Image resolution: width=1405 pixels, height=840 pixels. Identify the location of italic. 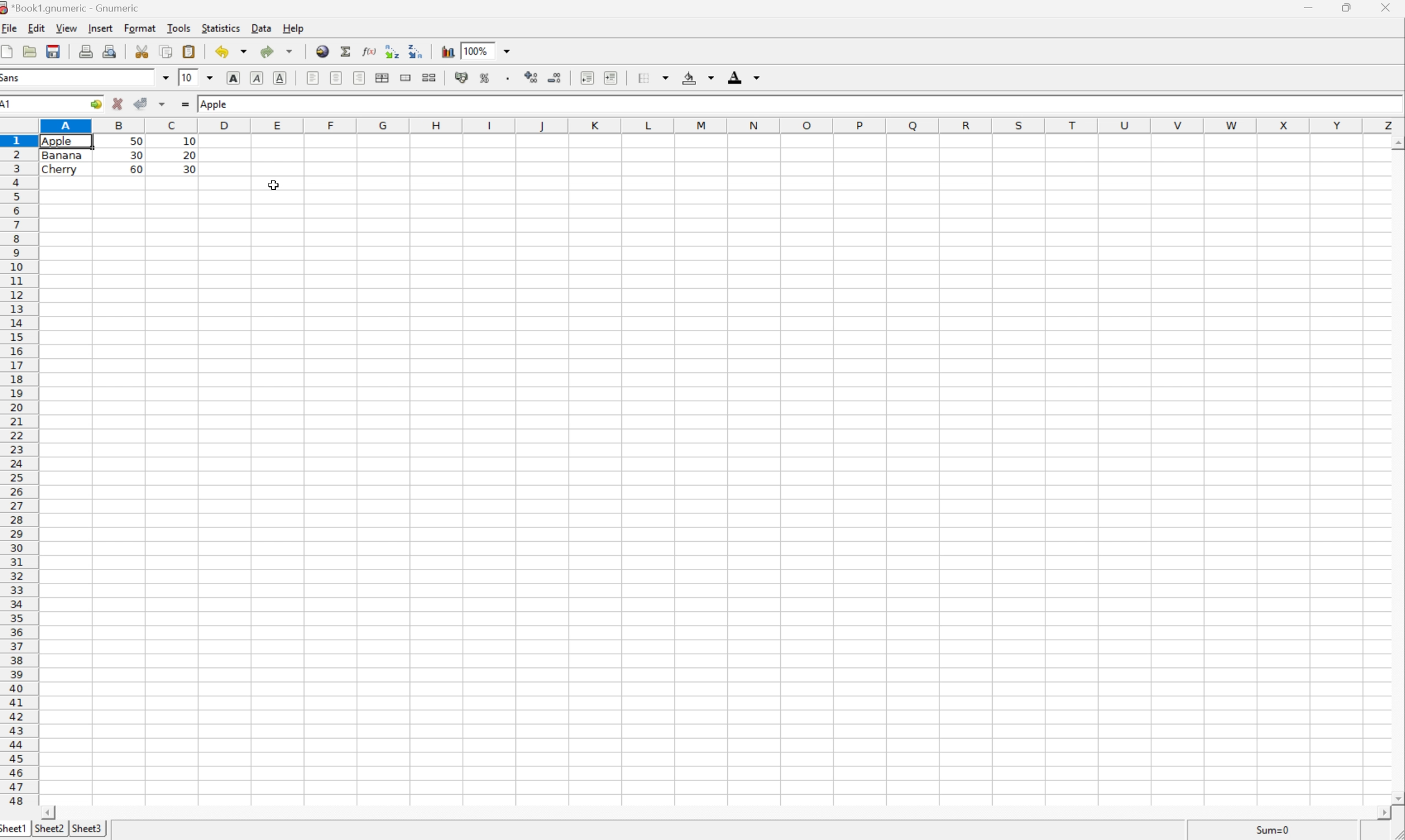
(258, 78).